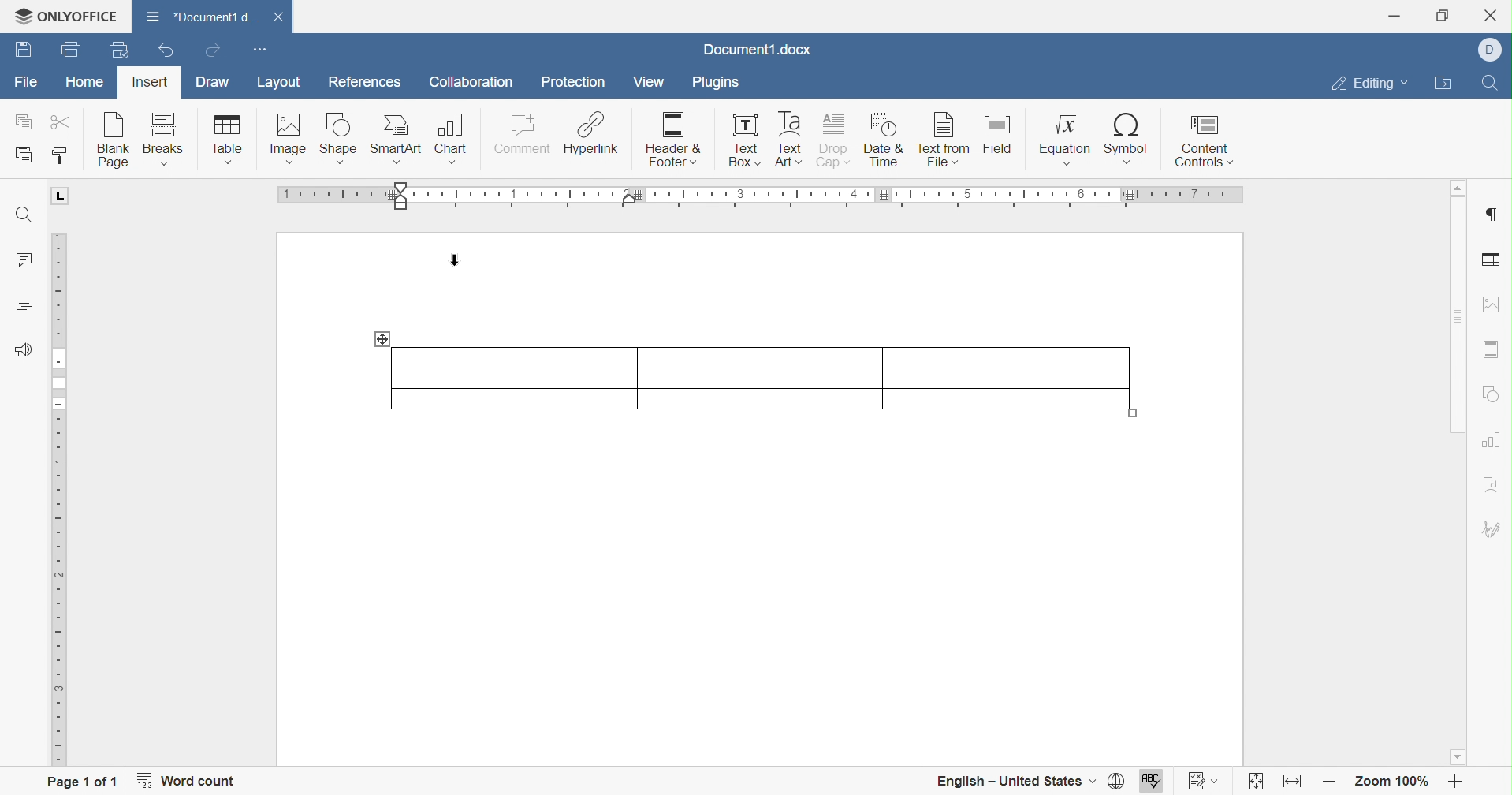 The width and height of the screenshot is (1512, 795). What do you see at coordinates (1400, 15) in the screenshot?
I see `Minimize` at bounding box center [1400, 15].